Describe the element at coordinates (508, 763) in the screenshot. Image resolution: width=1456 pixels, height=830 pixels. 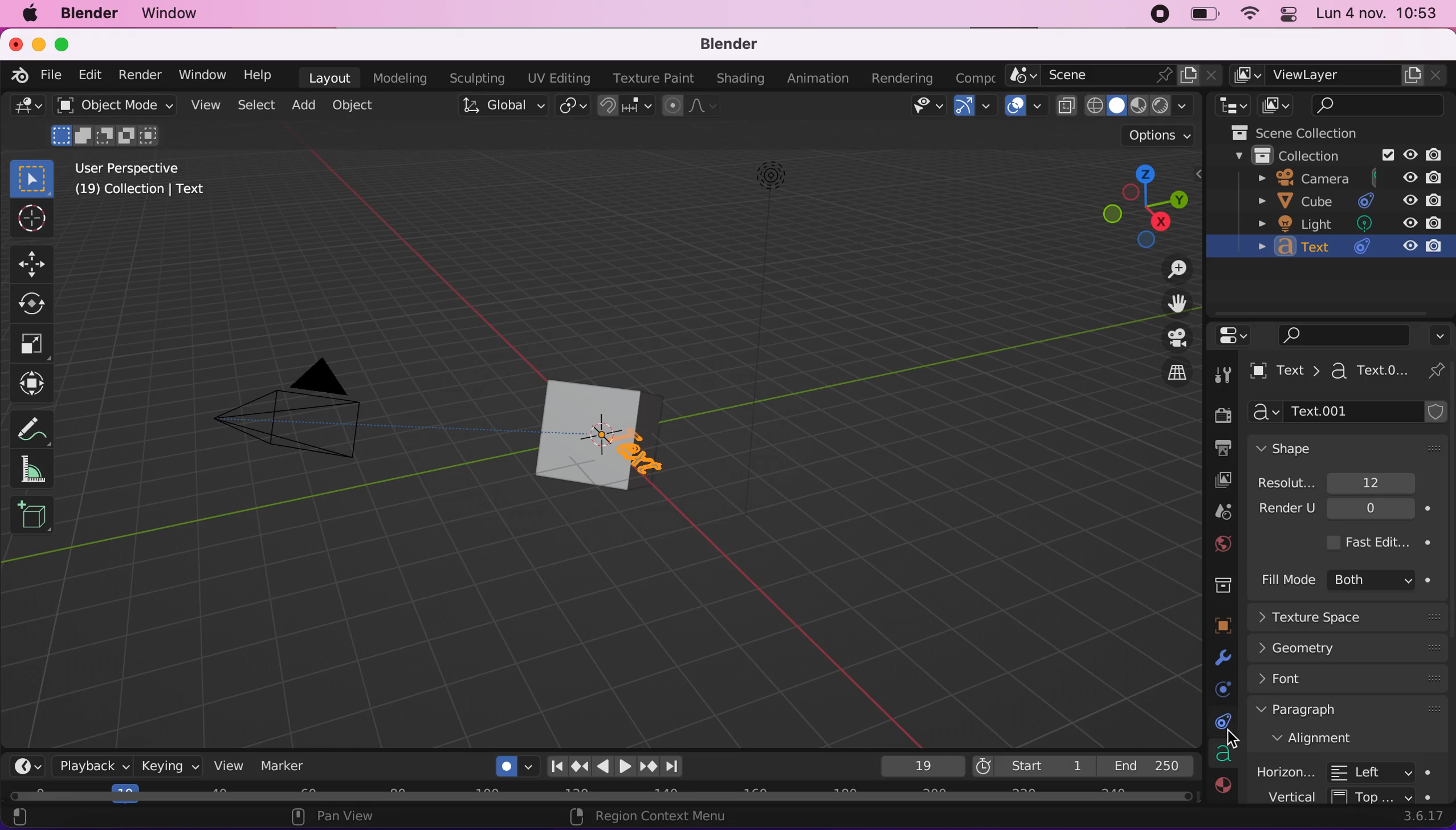
I see `auto keying` at that location.